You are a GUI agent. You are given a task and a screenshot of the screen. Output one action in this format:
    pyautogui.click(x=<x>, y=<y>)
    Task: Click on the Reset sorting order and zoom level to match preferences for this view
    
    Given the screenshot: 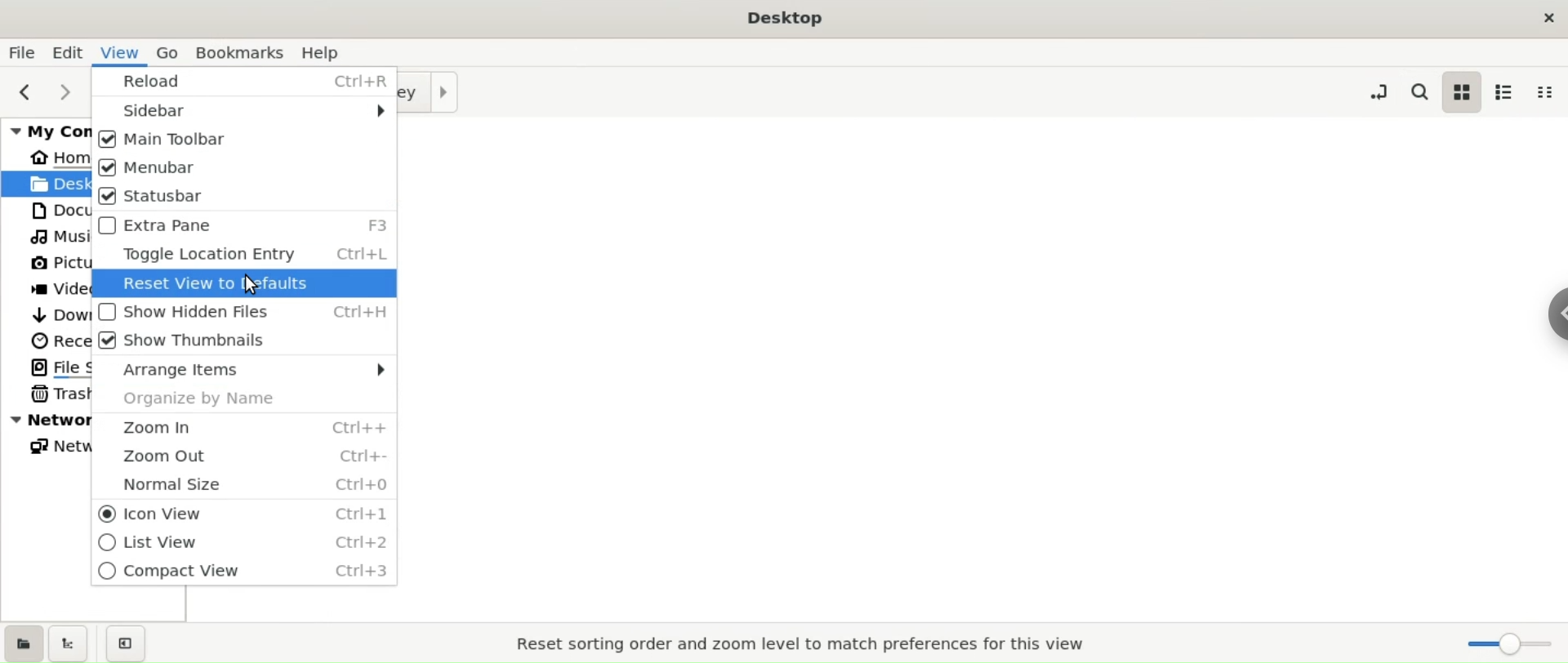 What is the action you would take?
    pyautogui.click(x=804, y=644)
    